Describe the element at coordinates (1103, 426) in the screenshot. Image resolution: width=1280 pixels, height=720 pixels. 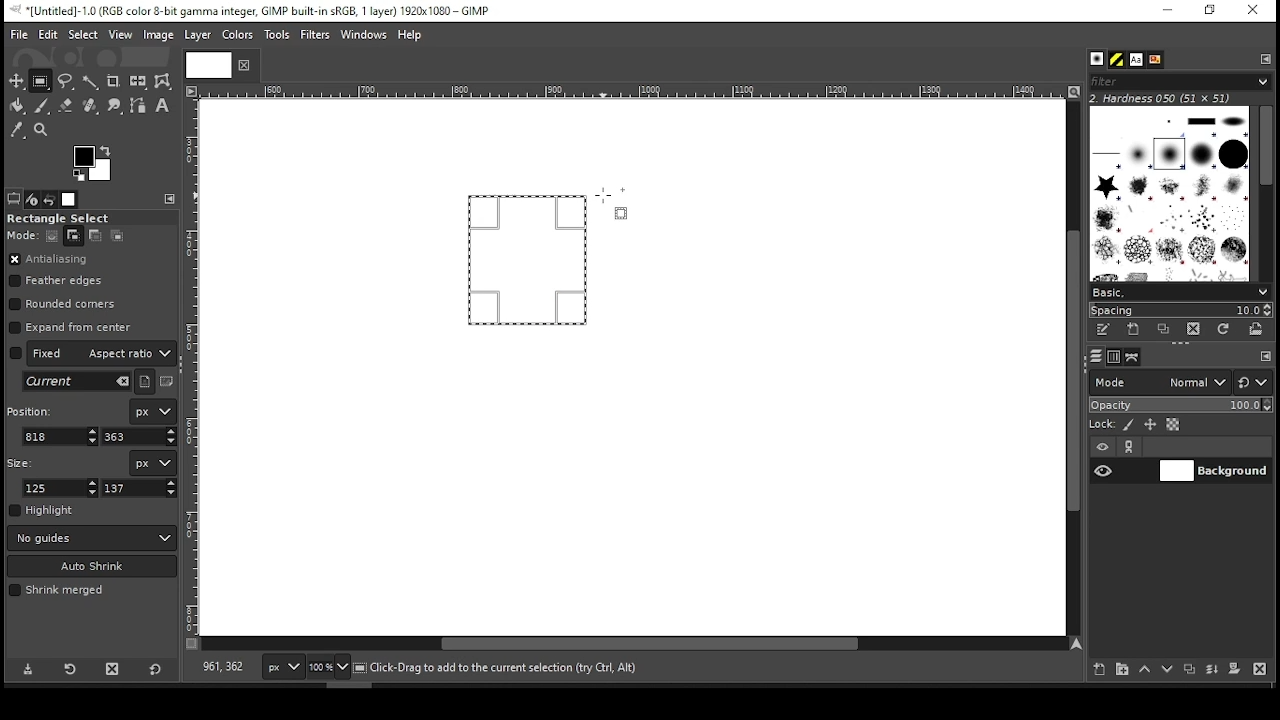
I see `lock:` at that location.